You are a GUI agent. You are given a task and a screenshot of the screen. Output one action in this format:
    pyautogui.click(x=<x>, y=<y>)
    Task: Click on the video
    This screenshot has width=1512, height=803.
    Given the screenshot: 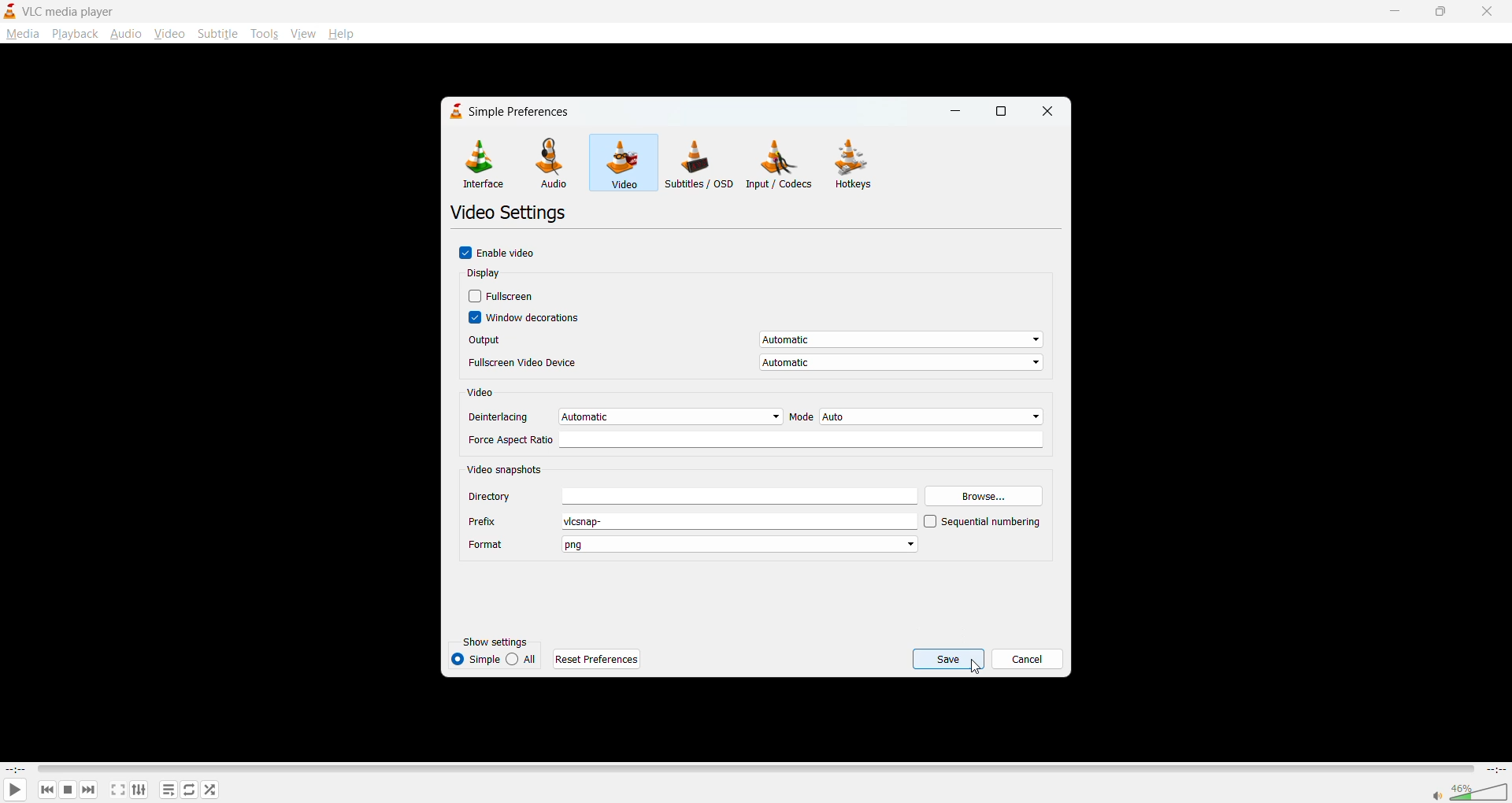 What is the action you would take?
    pyautogui.click(x=484, y=394)
    